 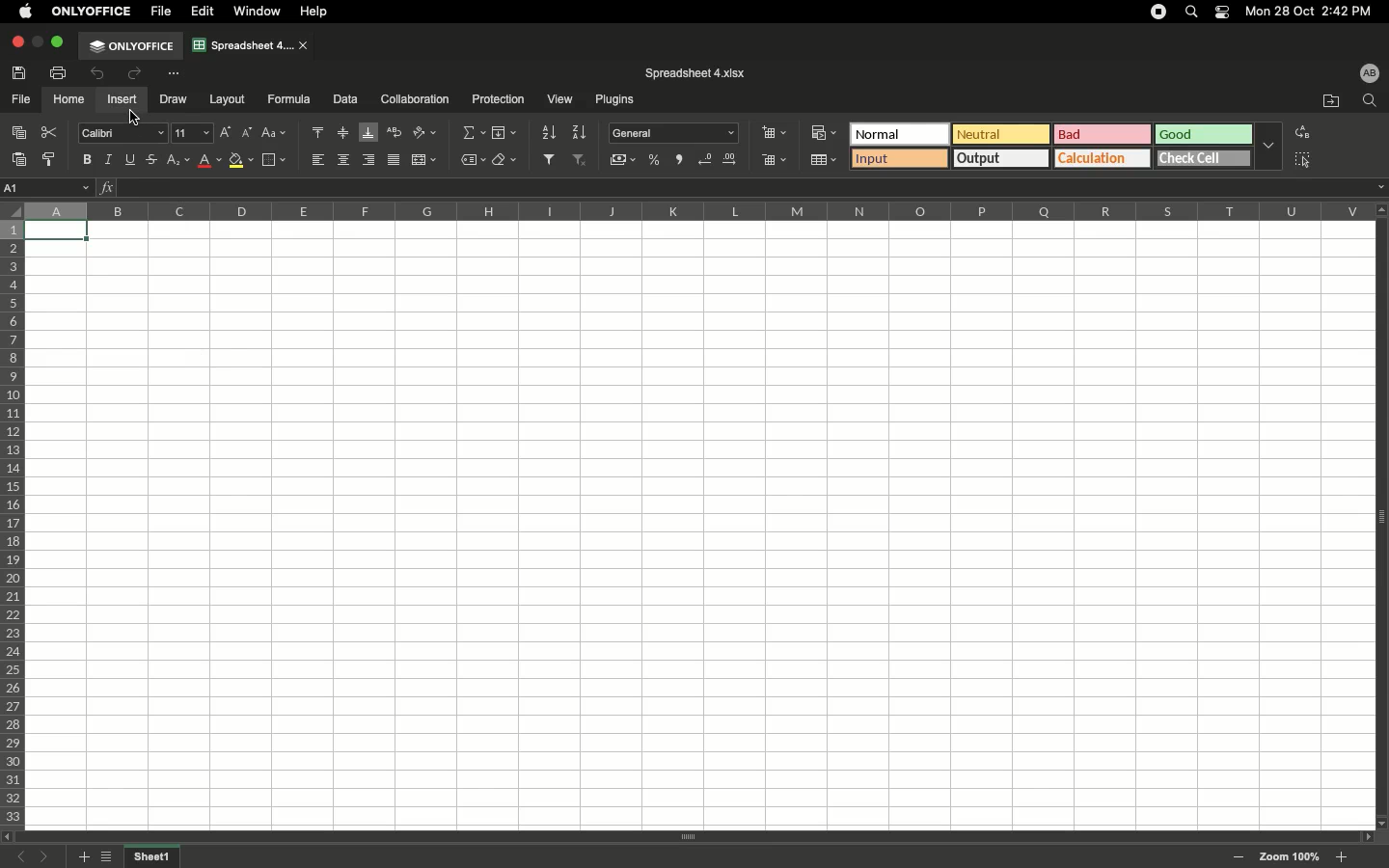 I want to click on No filter, so click(x=581, y=159).